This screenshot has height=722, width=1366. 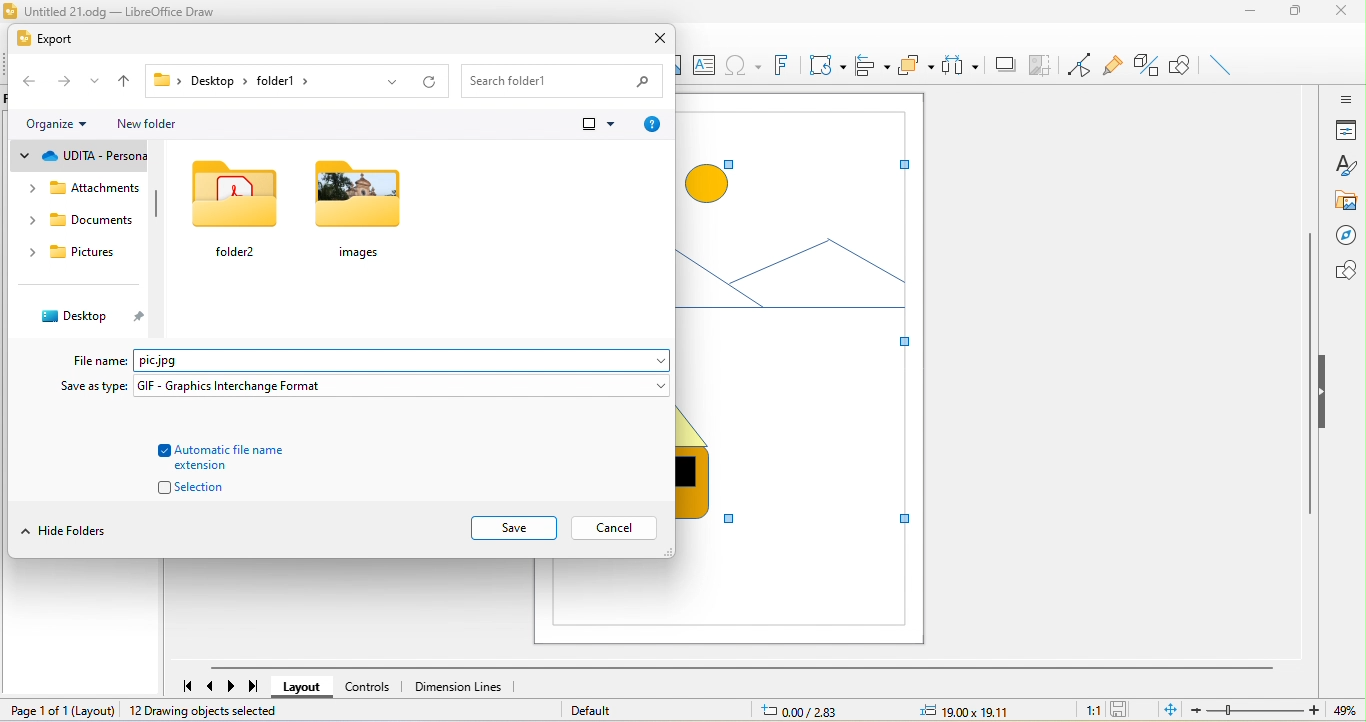 What do you see at coordinates (259, 81) in the screenshot?
I see `file path` at bounding box center [259, 81].